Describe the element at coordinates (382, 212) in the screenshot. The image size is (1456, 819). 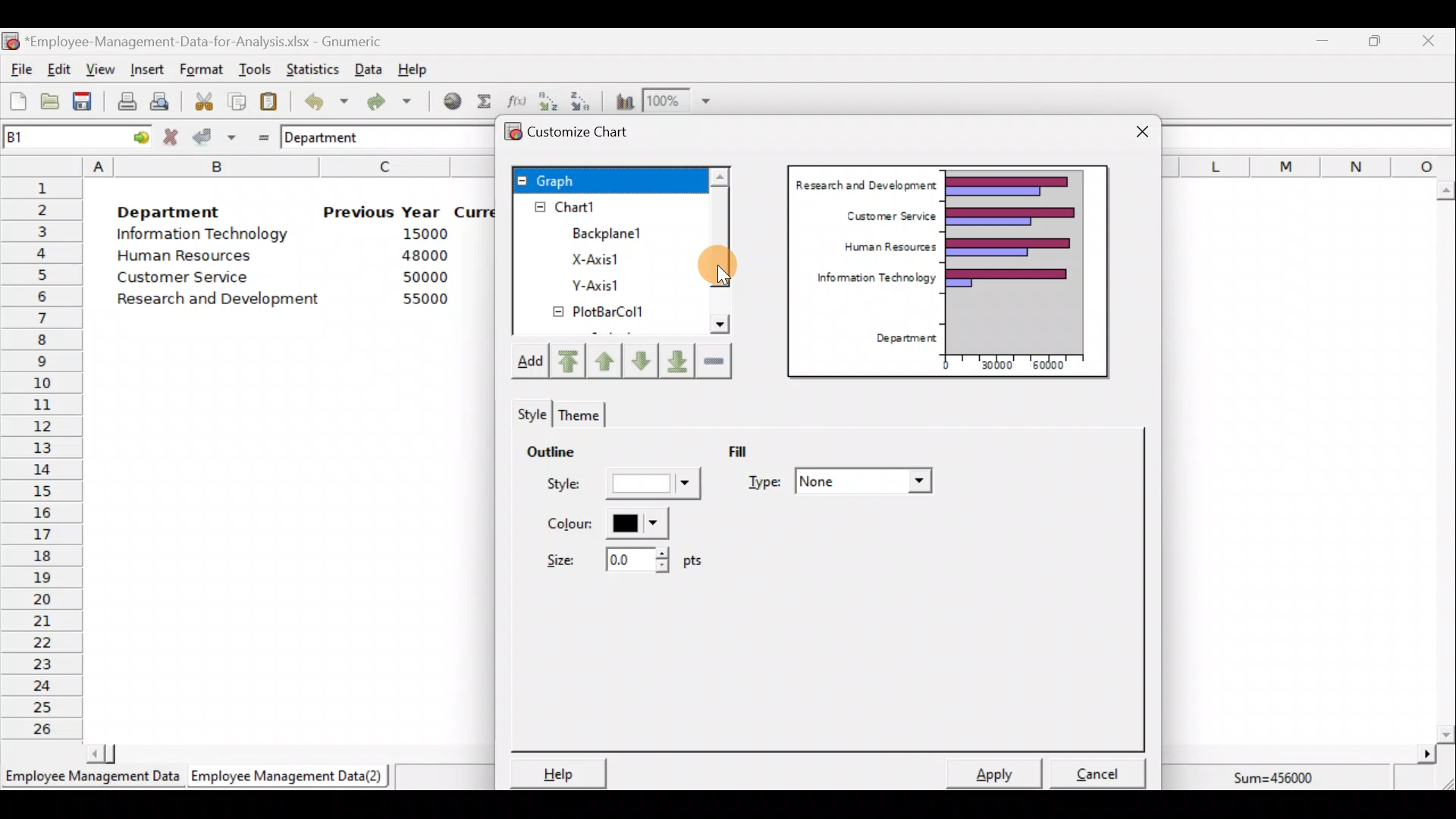
I see `Previous Year` at that location.